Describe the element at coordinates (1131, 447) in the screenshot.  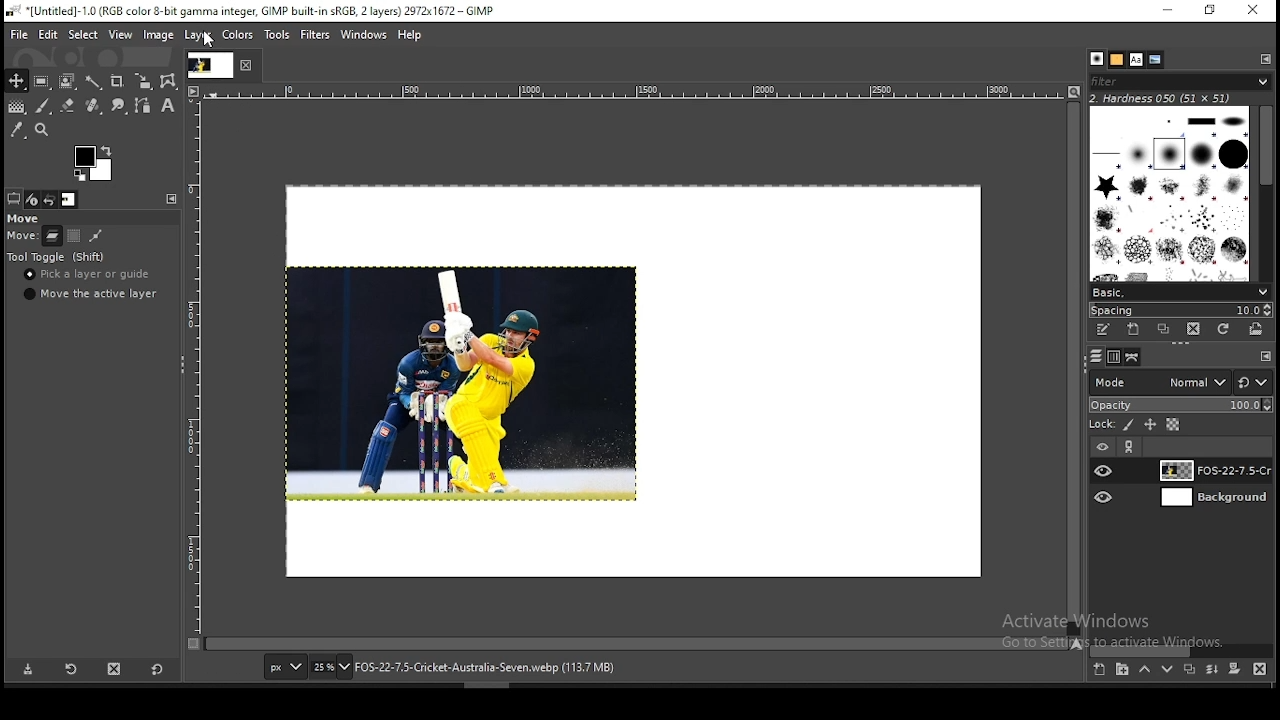
I see `tool` at that location.